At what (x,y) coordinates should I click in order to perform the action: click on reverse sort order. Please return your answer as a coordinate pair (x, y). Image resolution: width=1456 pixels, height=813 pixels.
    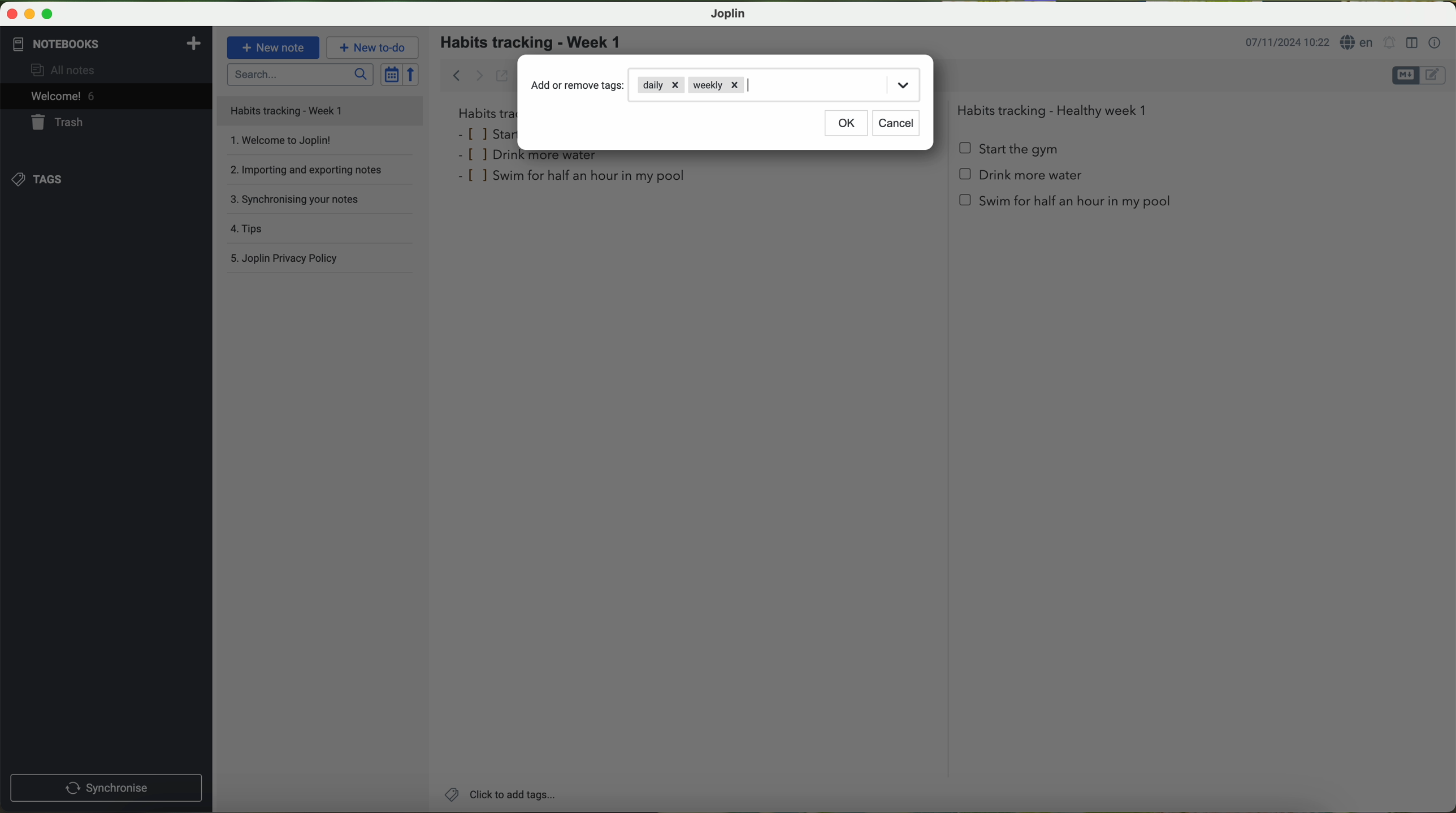
    Looking at the image, I should click on (412, 74).